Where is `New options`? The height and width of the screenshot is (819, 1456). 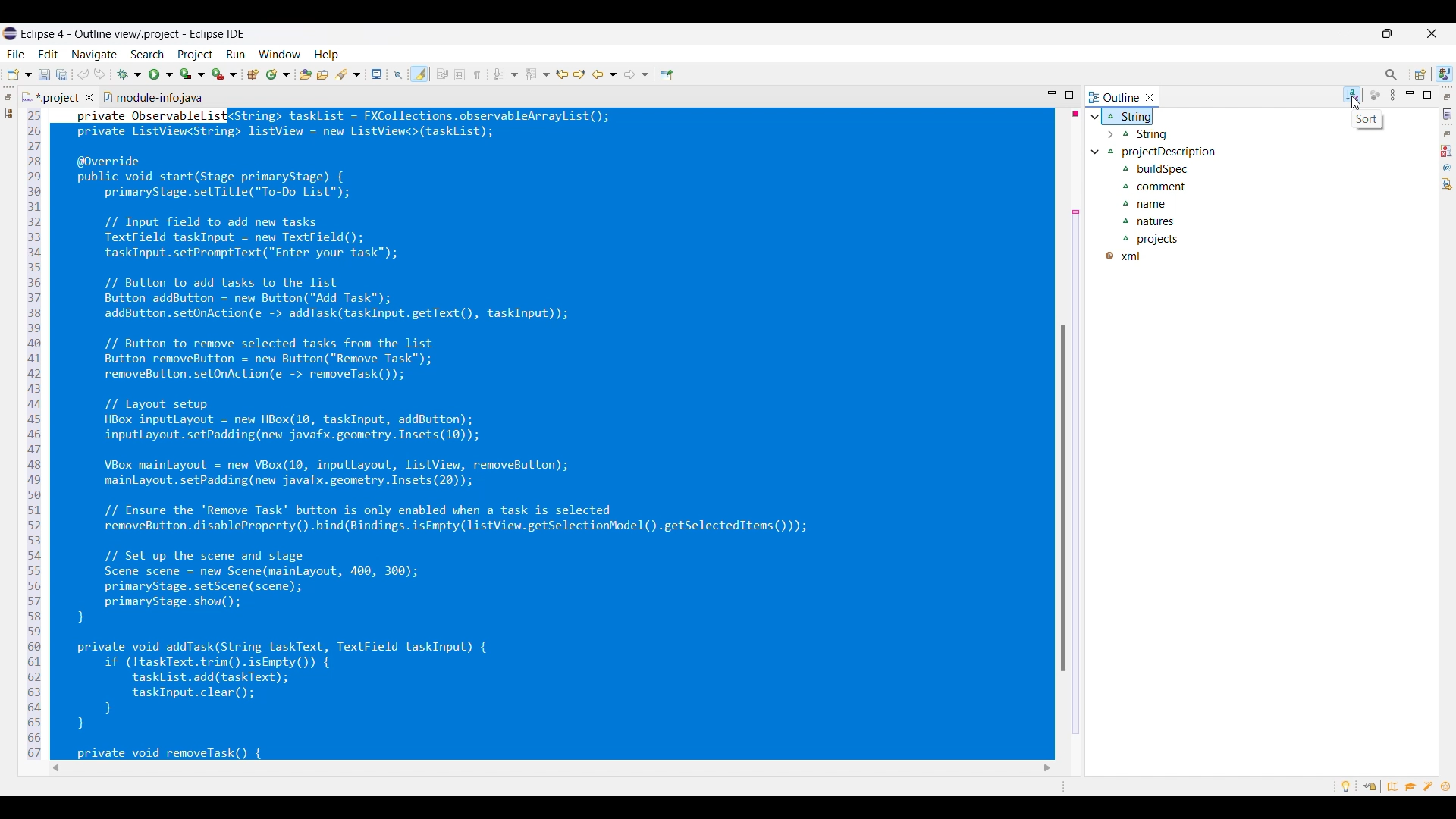
New options is located at coordinates (19, 74).